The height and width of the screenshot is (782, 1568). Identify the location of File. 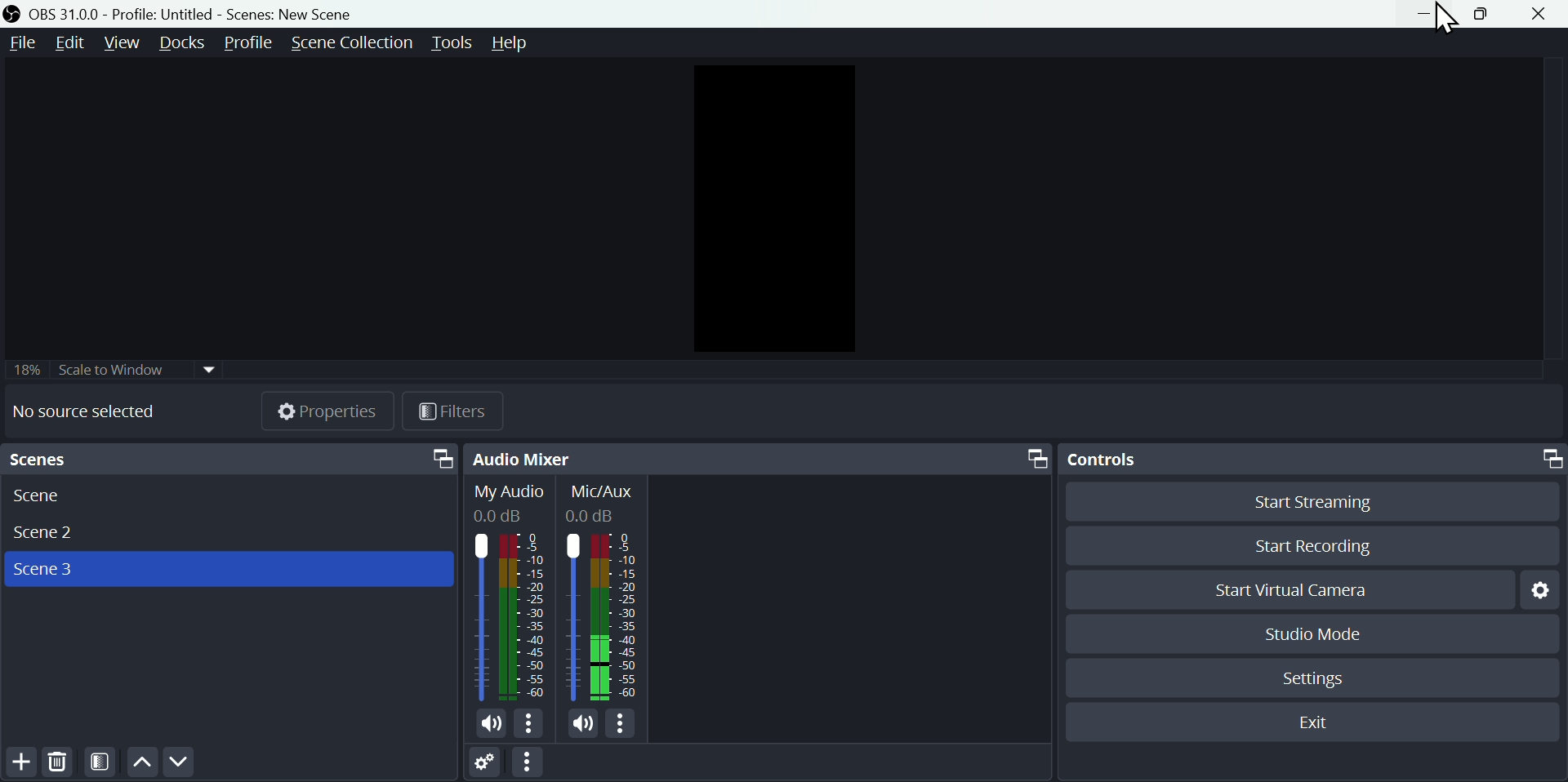
(20, 43).